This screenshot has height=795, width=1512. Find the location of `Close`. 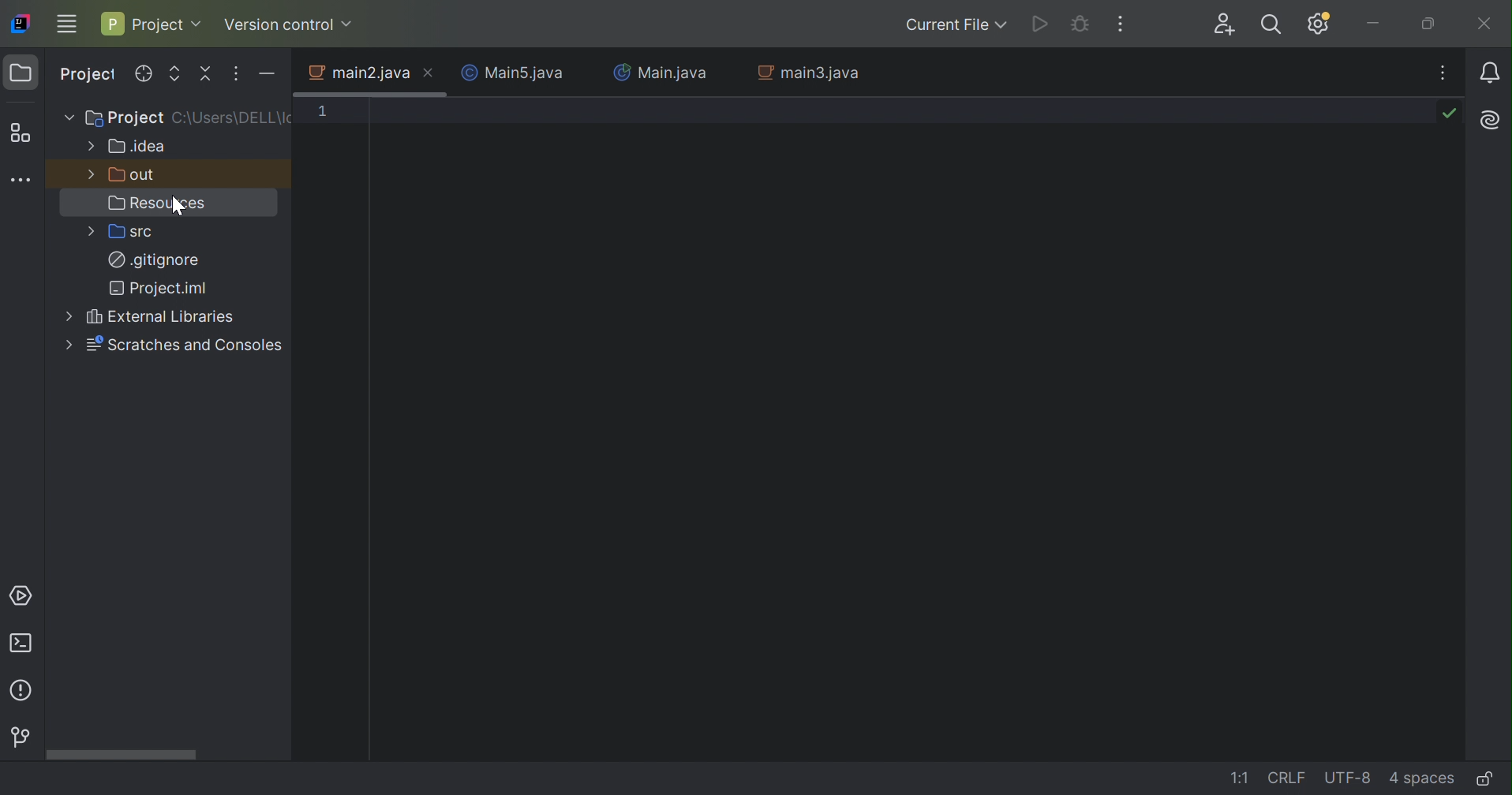

Close is located at coordinates (1484, 25).